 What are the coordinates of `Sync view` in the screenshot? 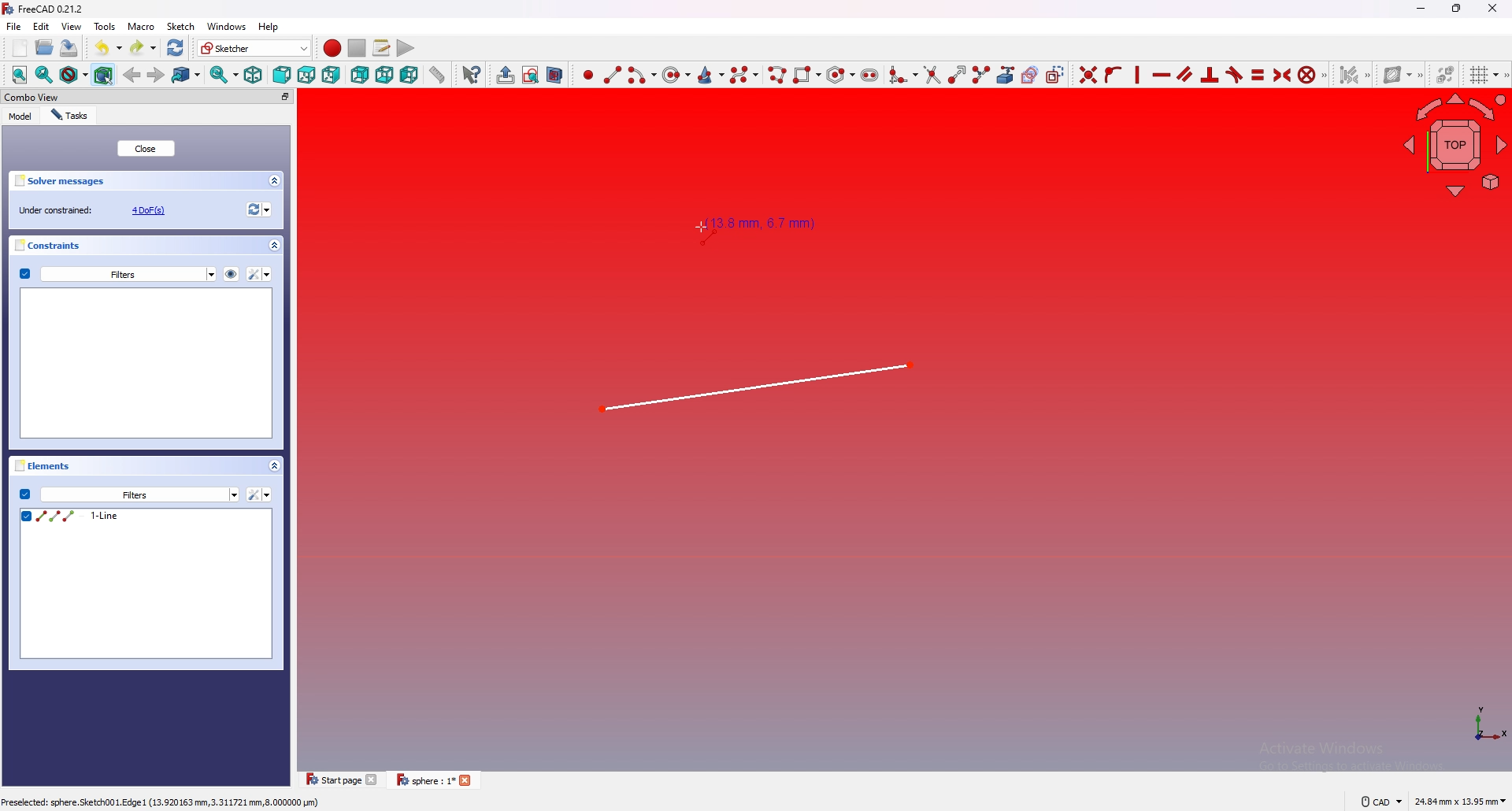 It's located at (222, 76).